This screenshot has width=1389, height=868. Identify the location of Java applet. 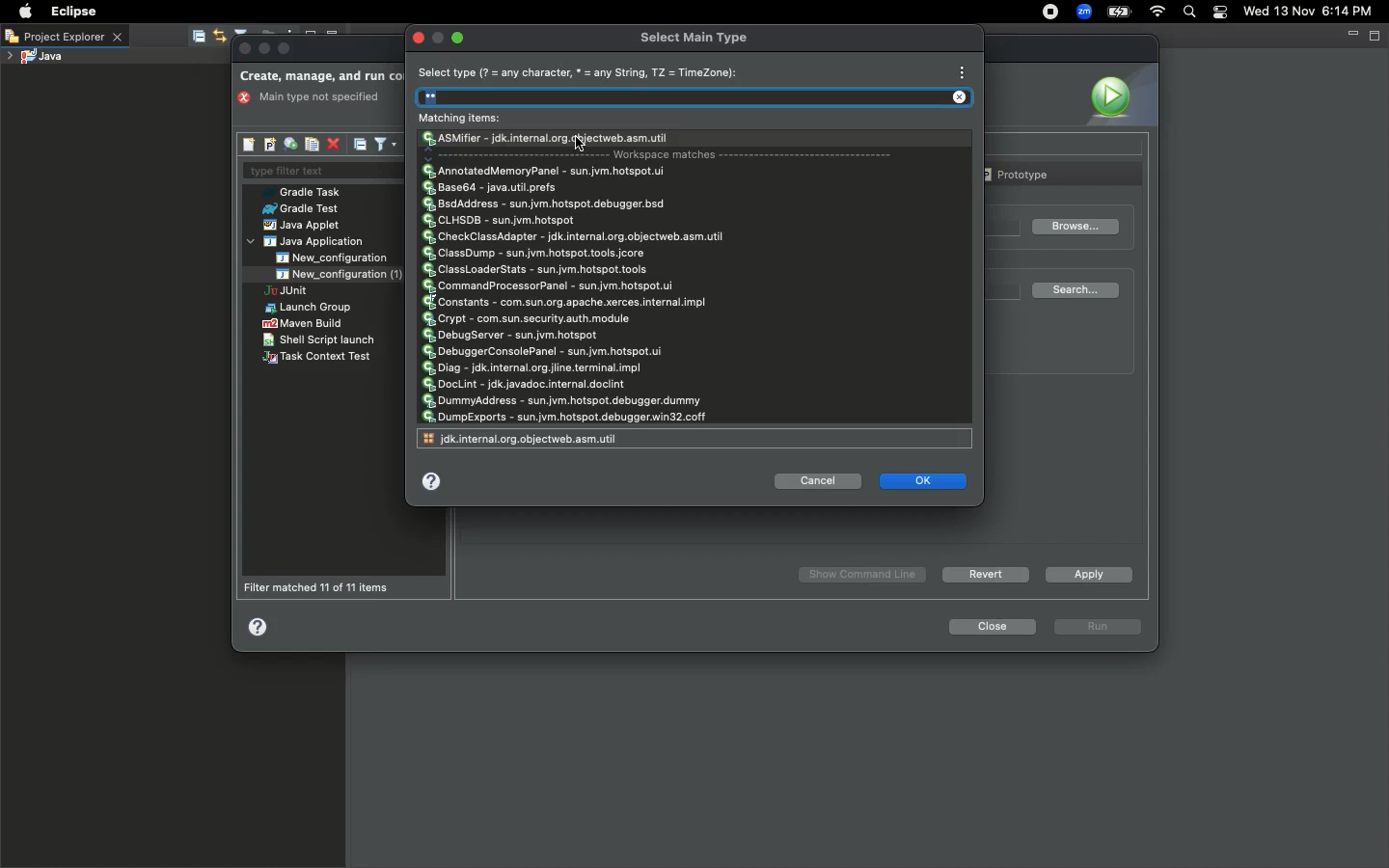
(304, 226).